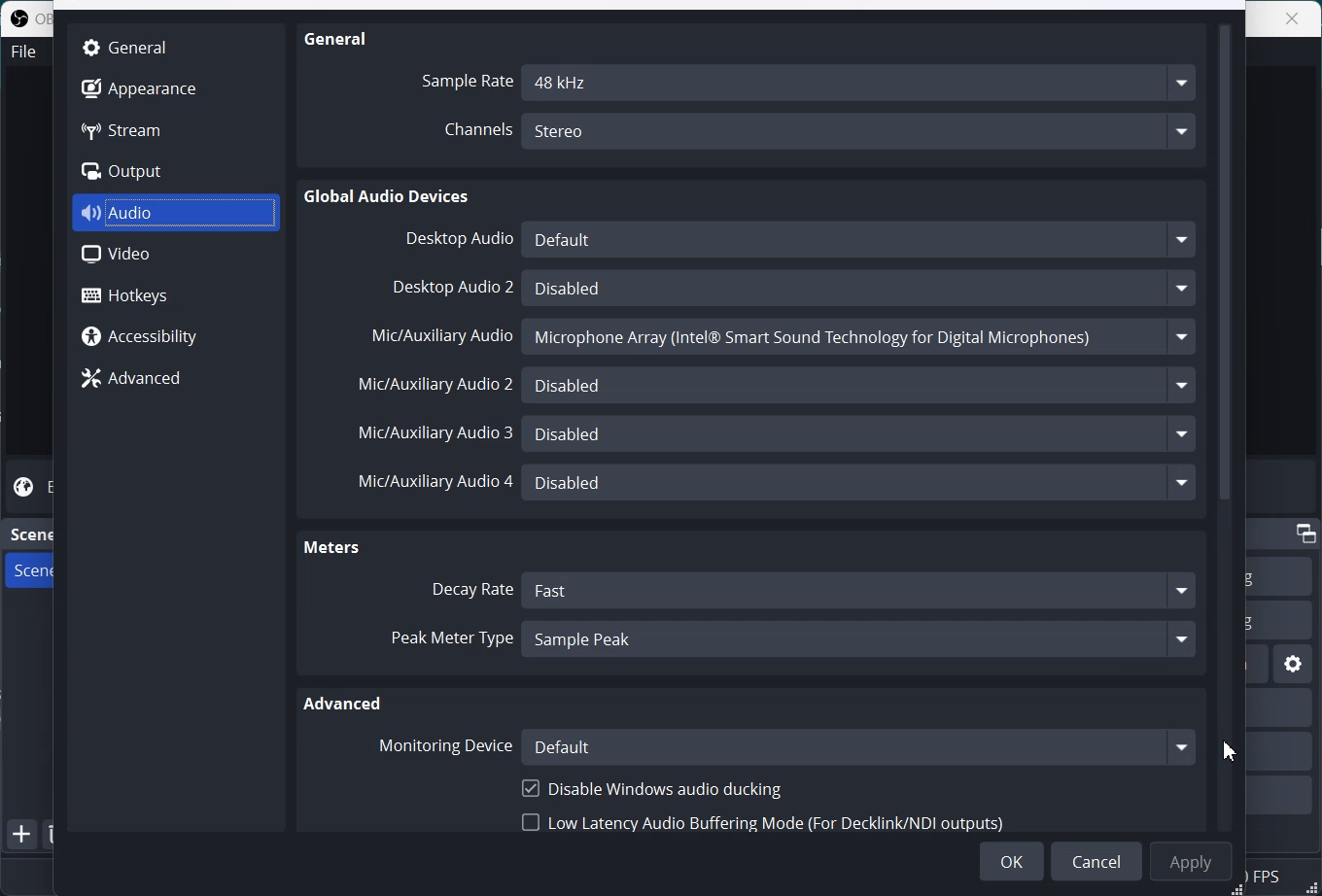 Image resolution: width=1322 pixels, height=896 pixels. What do you see at coordinates (465, 80) in the screenshot?
I see `Sample Rate` at bounding box center [465, 80].